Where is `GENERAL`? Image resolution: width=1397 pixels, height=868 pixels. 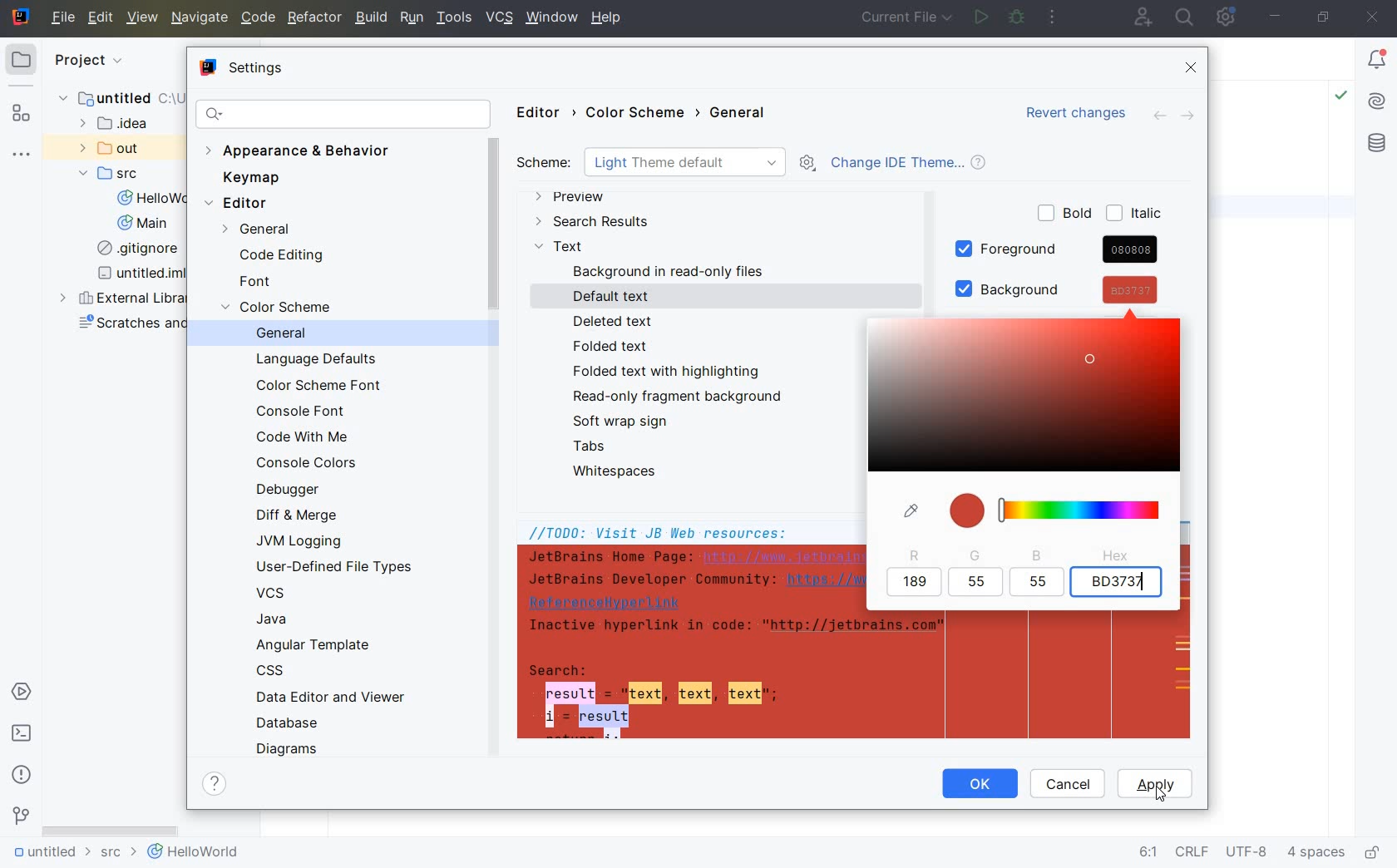 GENERAL is located at coordinates (292, 334).